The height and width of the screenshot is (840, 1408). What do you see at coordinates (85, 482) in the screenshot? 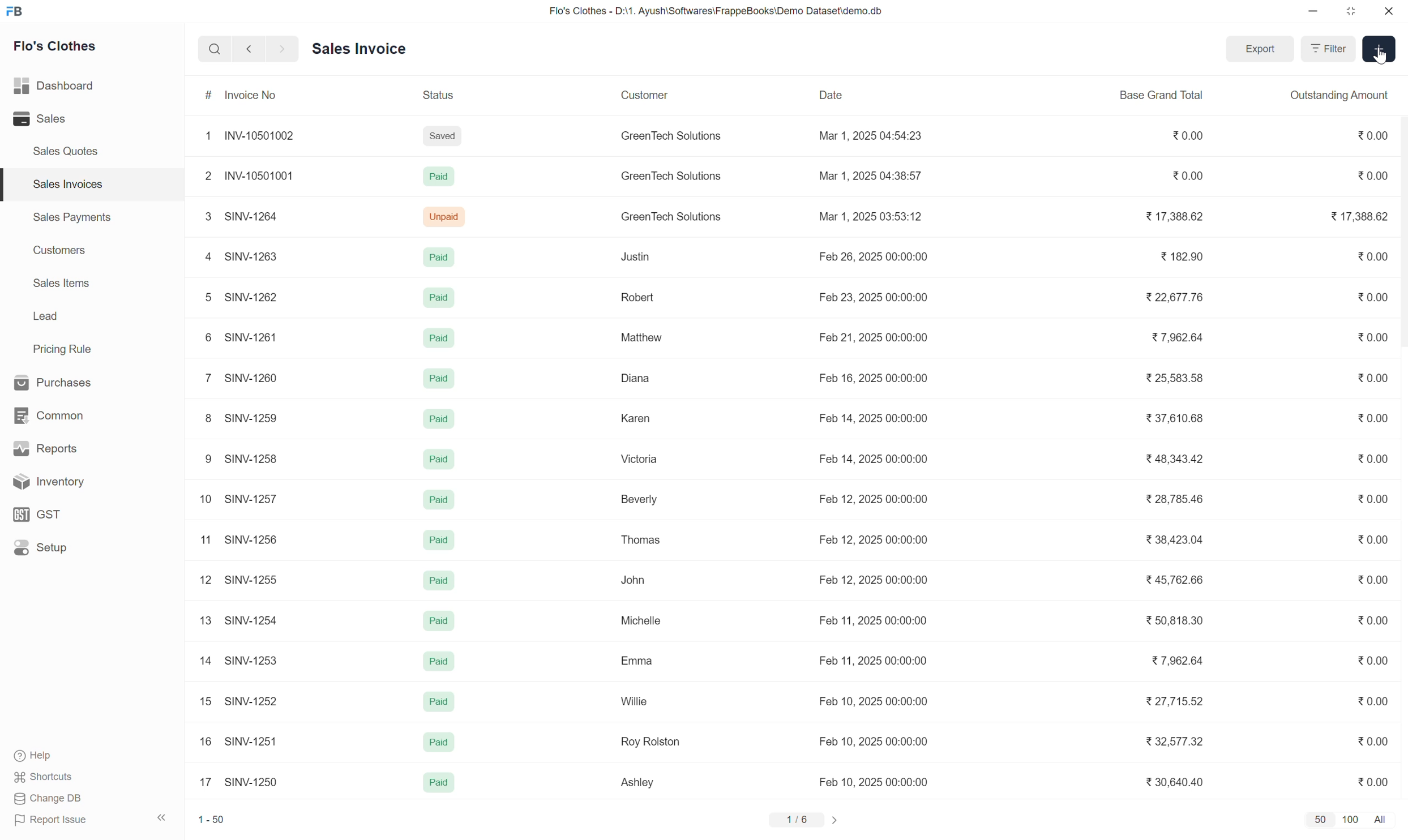
I see `Inventory ` at bounding box center [85, 482].